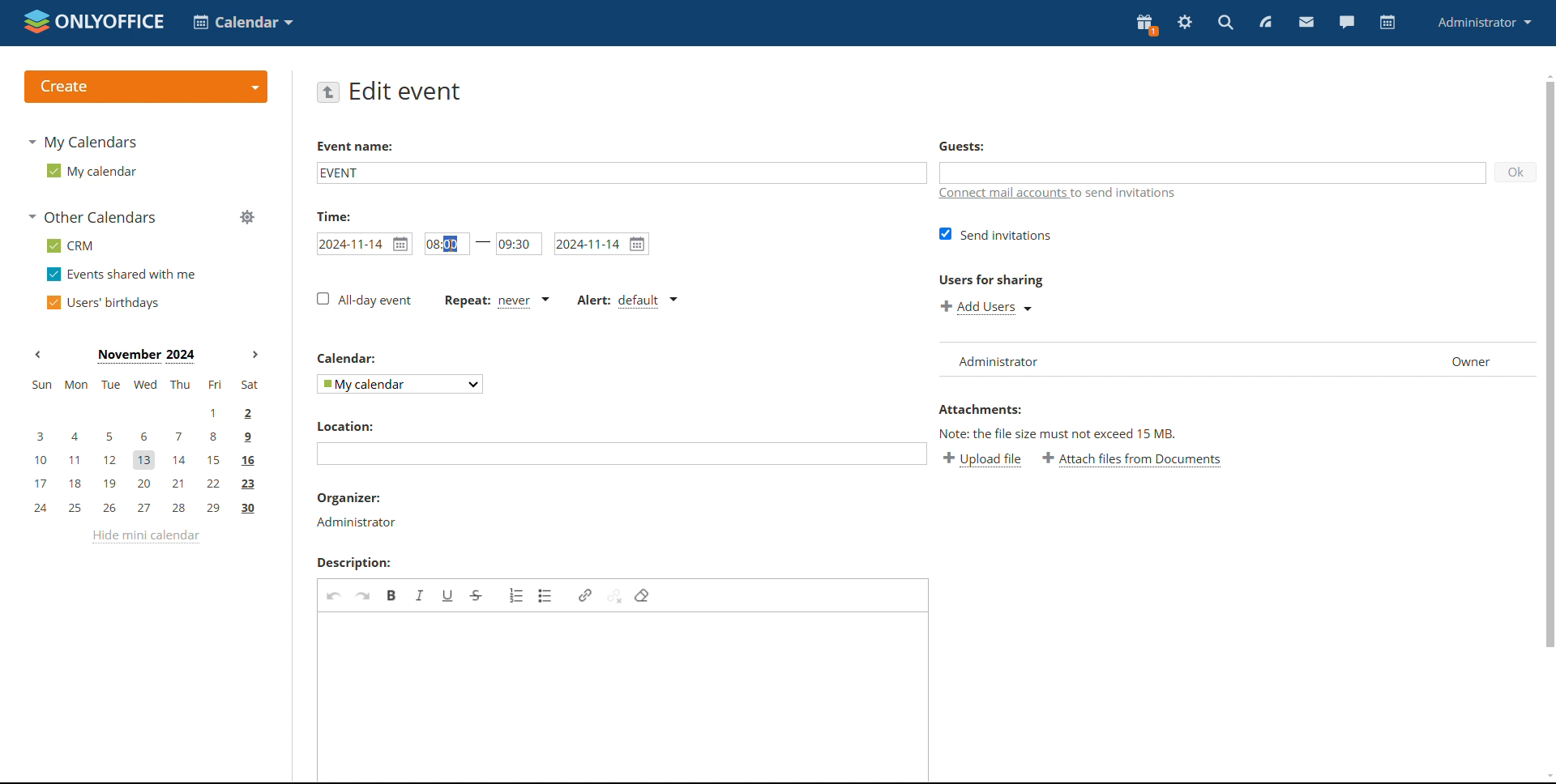 This screenshot has width=1556, height=784. I want to click on feed, so click(1266, 23).